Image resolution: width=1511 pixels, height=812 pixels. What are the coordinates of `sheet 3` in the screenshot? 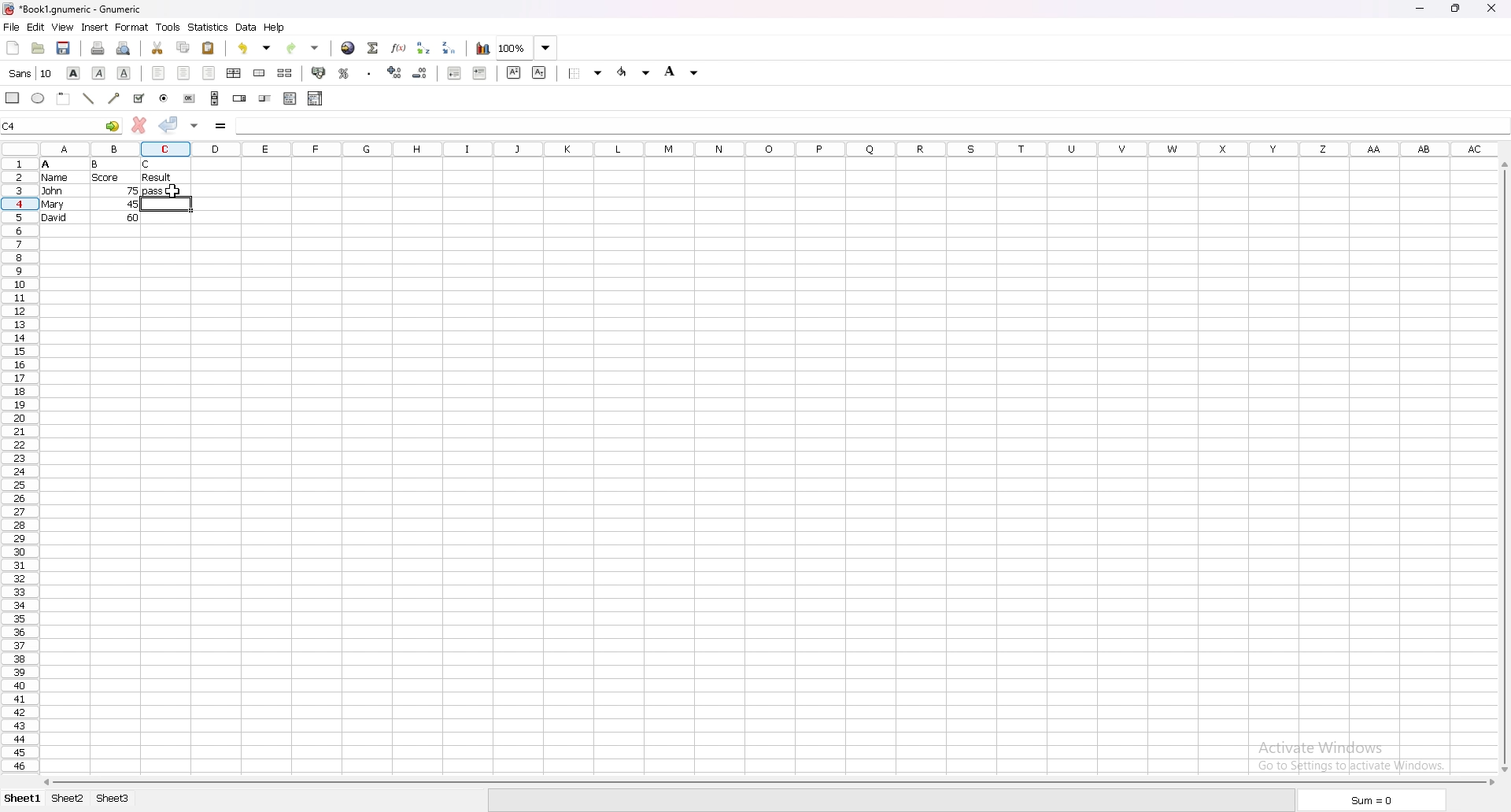 It's located at (116, 800).